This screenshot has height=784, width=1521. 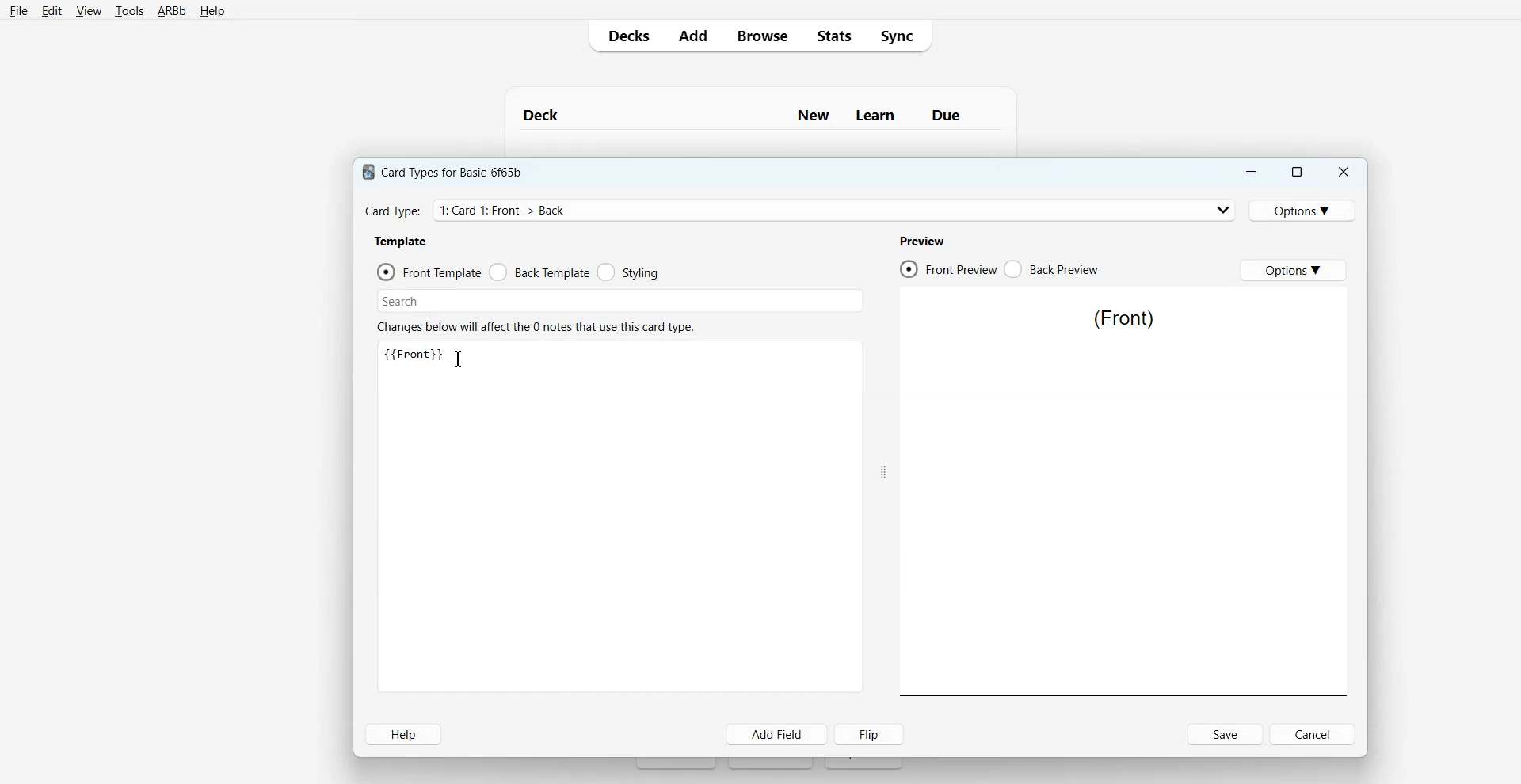 What do you see at coordinates (1344, 171) in the screenshot?
I see `Close` at bounding box center [1344, 171].